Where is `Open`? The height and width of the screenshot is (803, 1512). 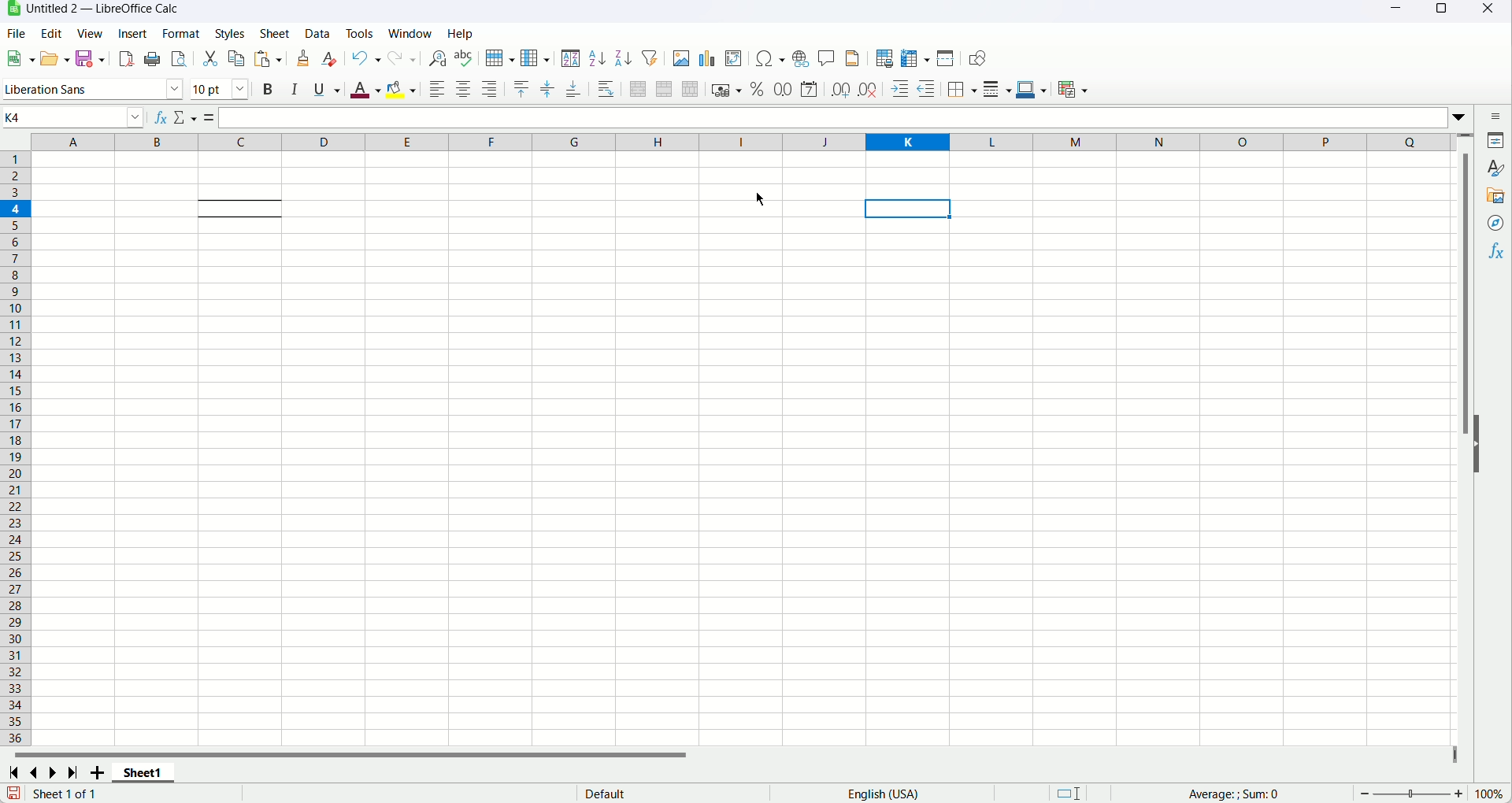
Open is located at coordinates (56, 58).